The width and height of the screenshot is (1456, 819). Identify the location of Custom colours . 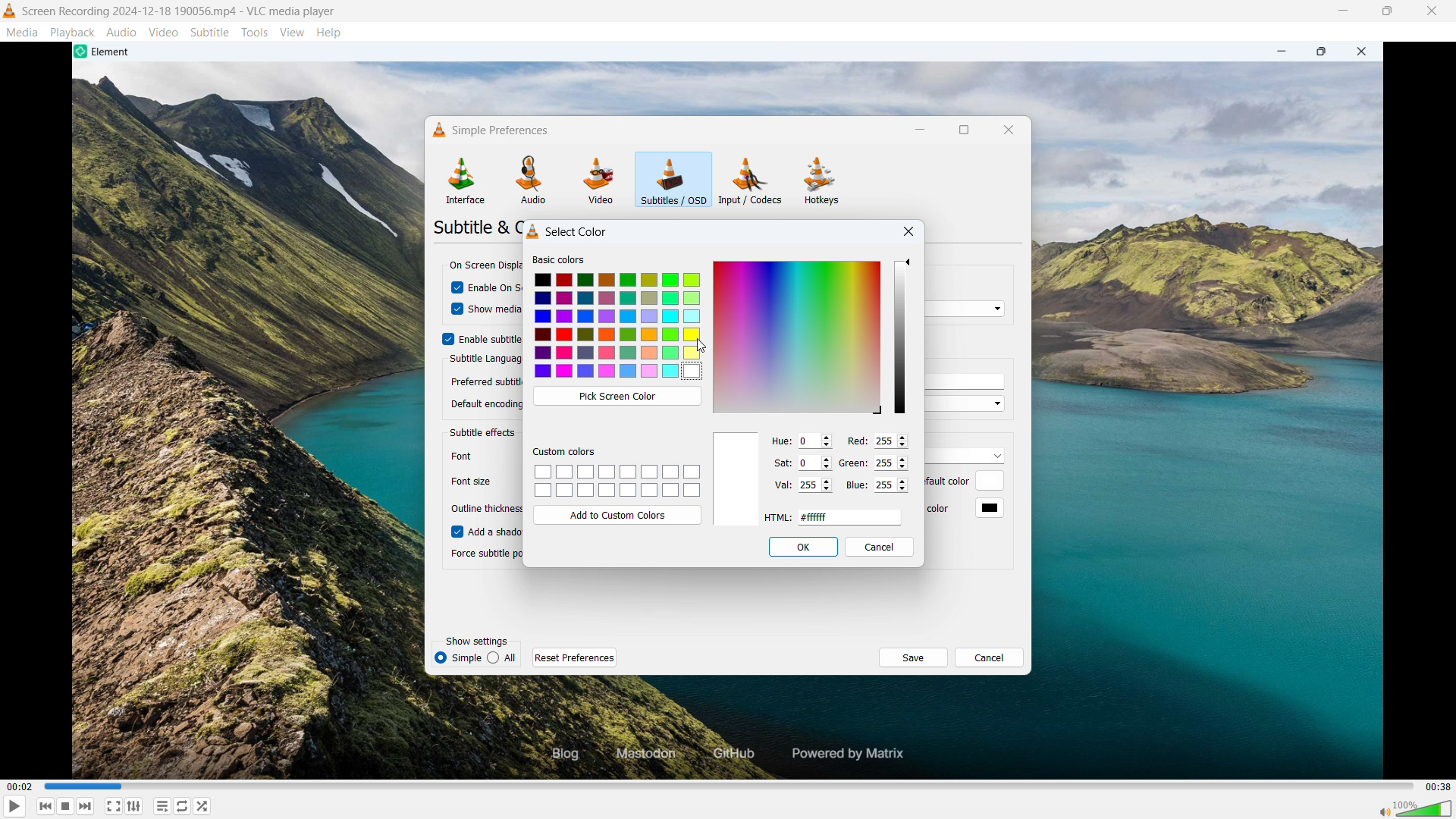
(566, 452).